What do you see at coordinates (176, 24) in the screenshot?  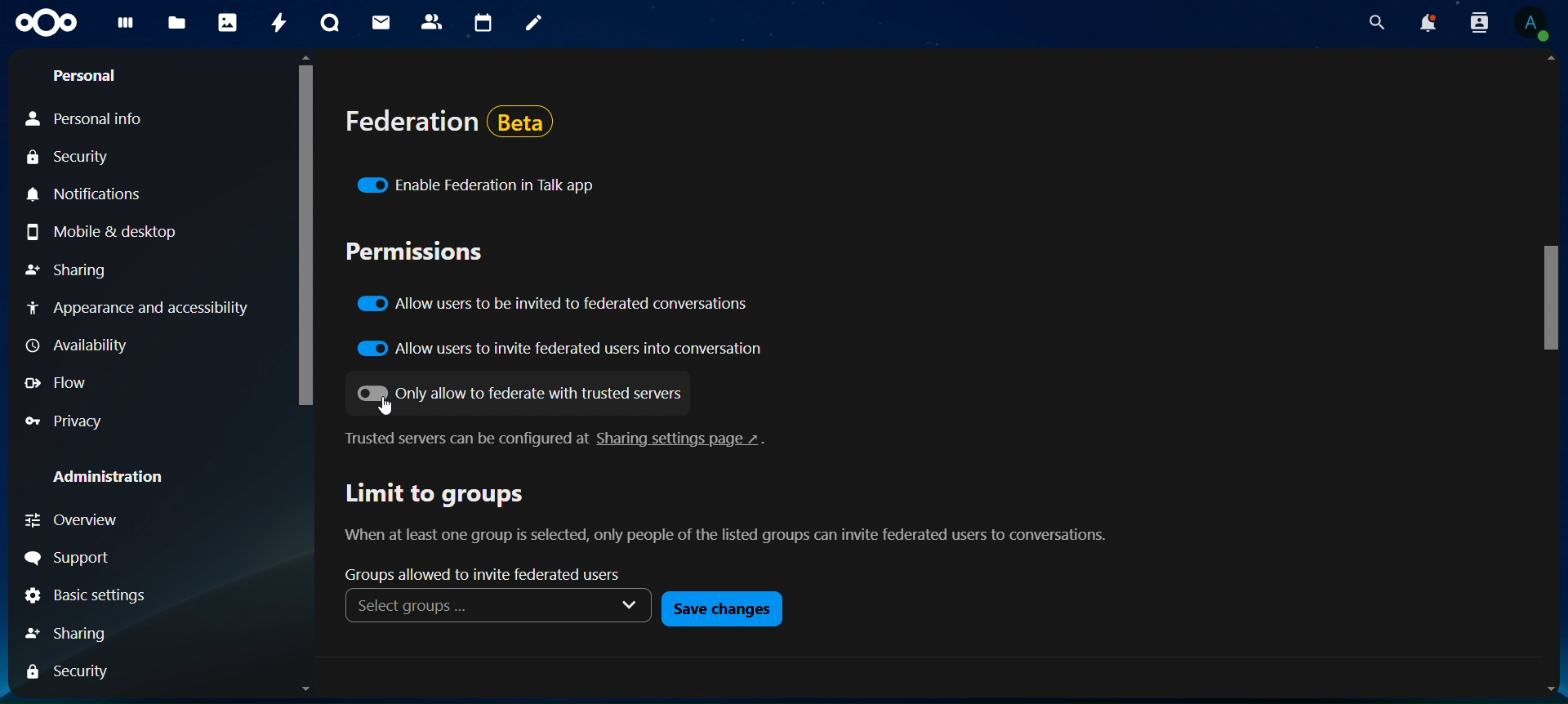 I see `files` at bounding box center [176, 24].